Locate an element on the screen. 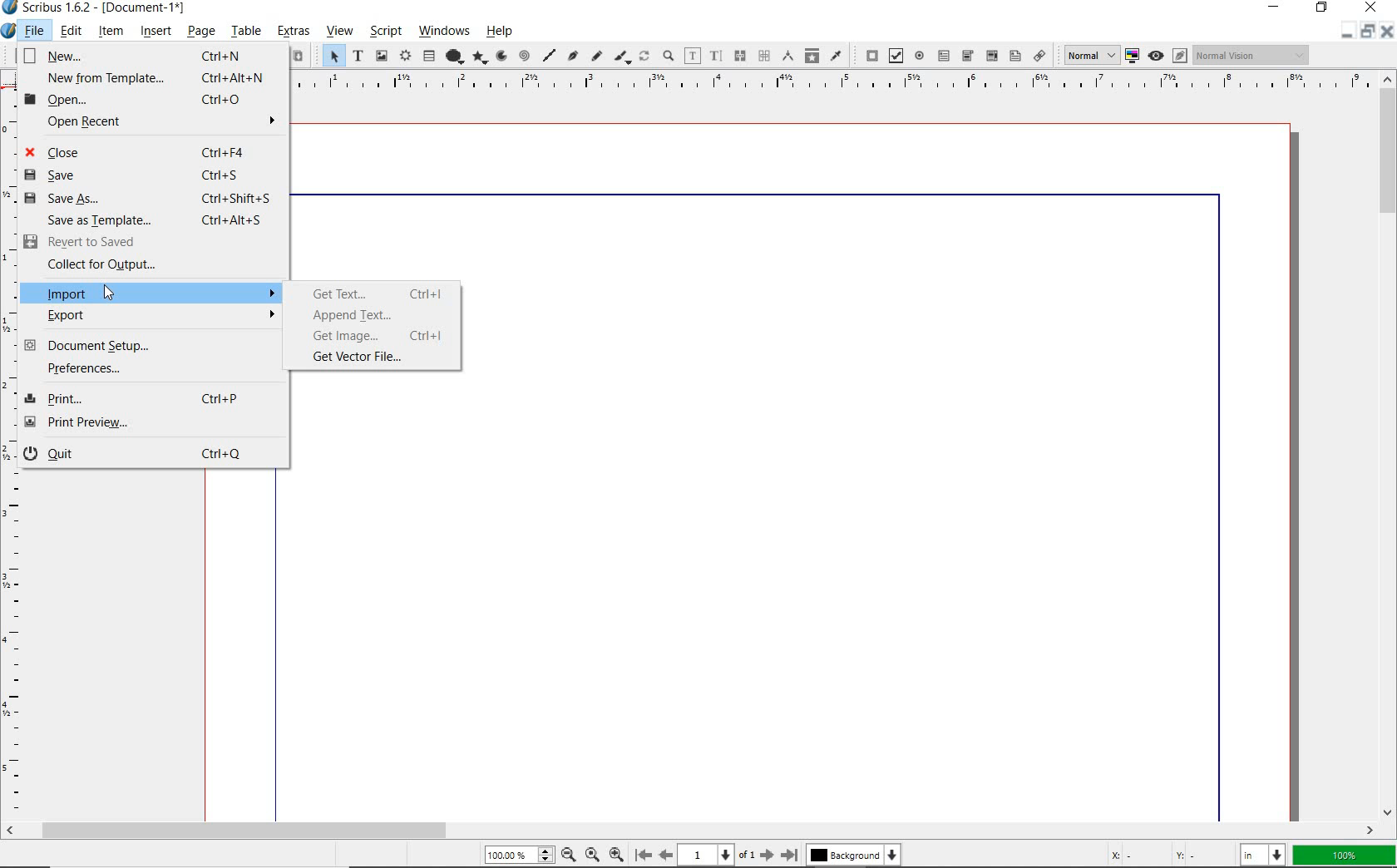 The height and width of the screenshot is (868, 1397). item is located at coordinates (111, 32).